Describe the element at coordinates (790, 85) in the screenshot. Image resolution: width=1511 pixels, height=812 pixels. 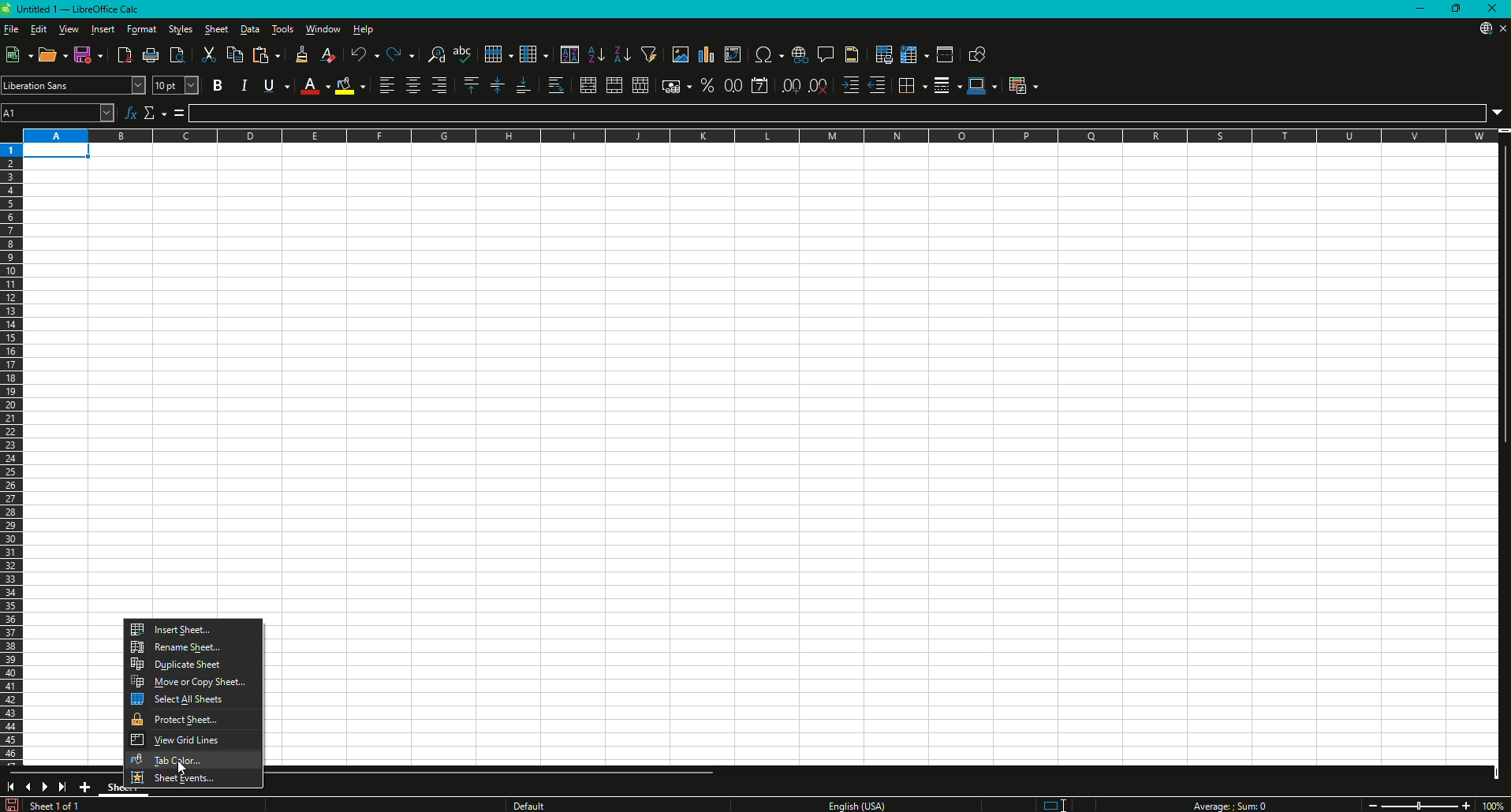
I see `Add Decimal Place` at that location.